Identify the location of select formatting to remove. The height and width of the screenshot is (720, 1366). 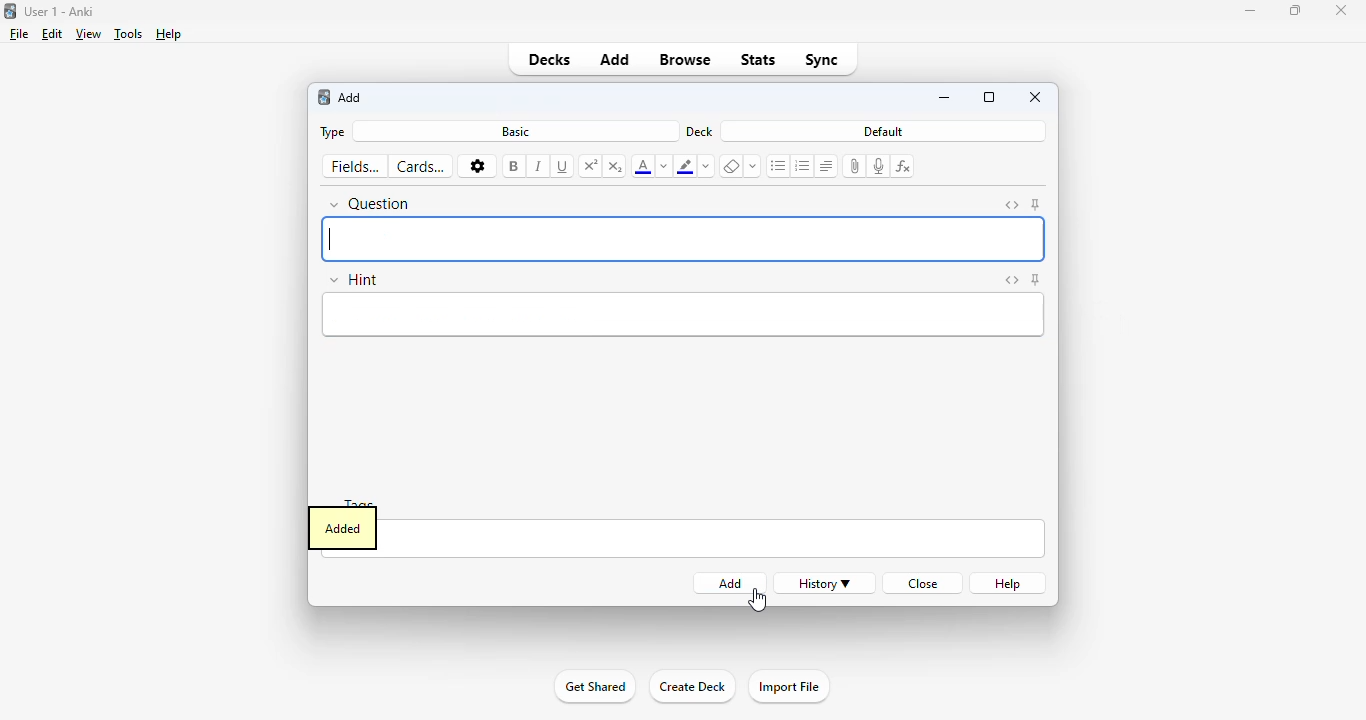
(754, 167).